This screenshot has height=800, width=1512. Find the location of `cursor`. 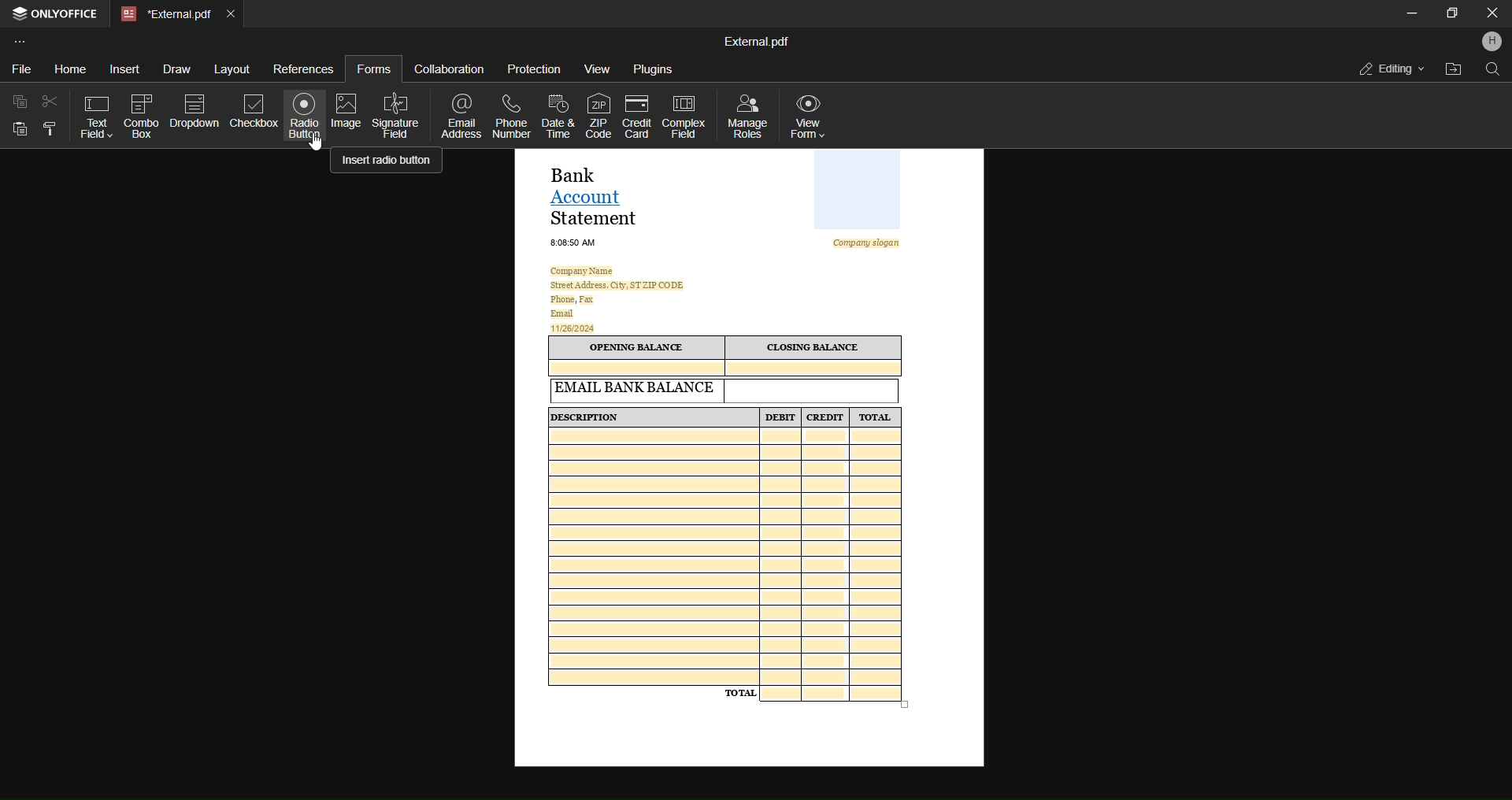

cursor is located at coordinates (318, 153).